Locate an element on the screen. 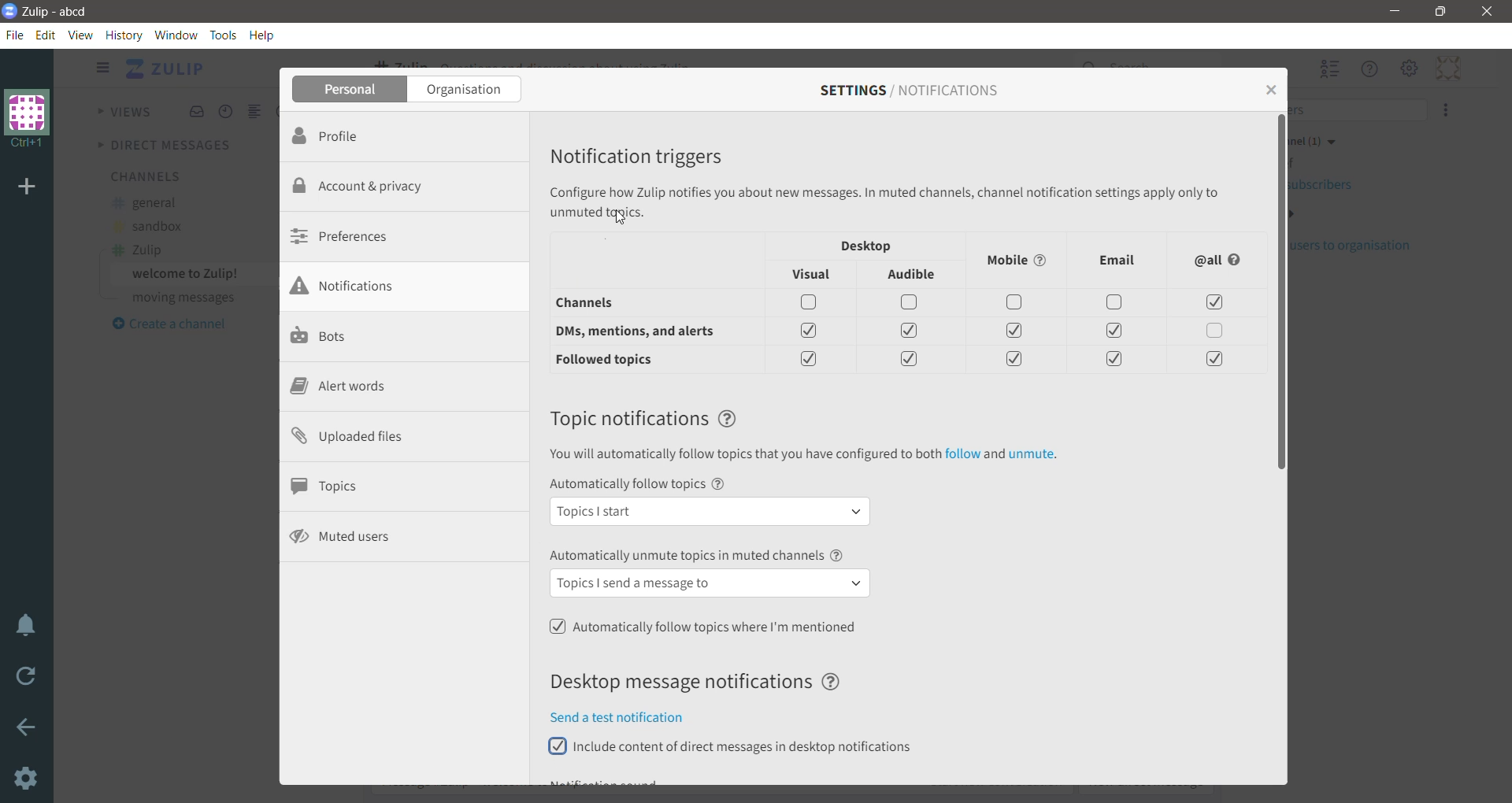  check box is located at coordinates (912, 361).